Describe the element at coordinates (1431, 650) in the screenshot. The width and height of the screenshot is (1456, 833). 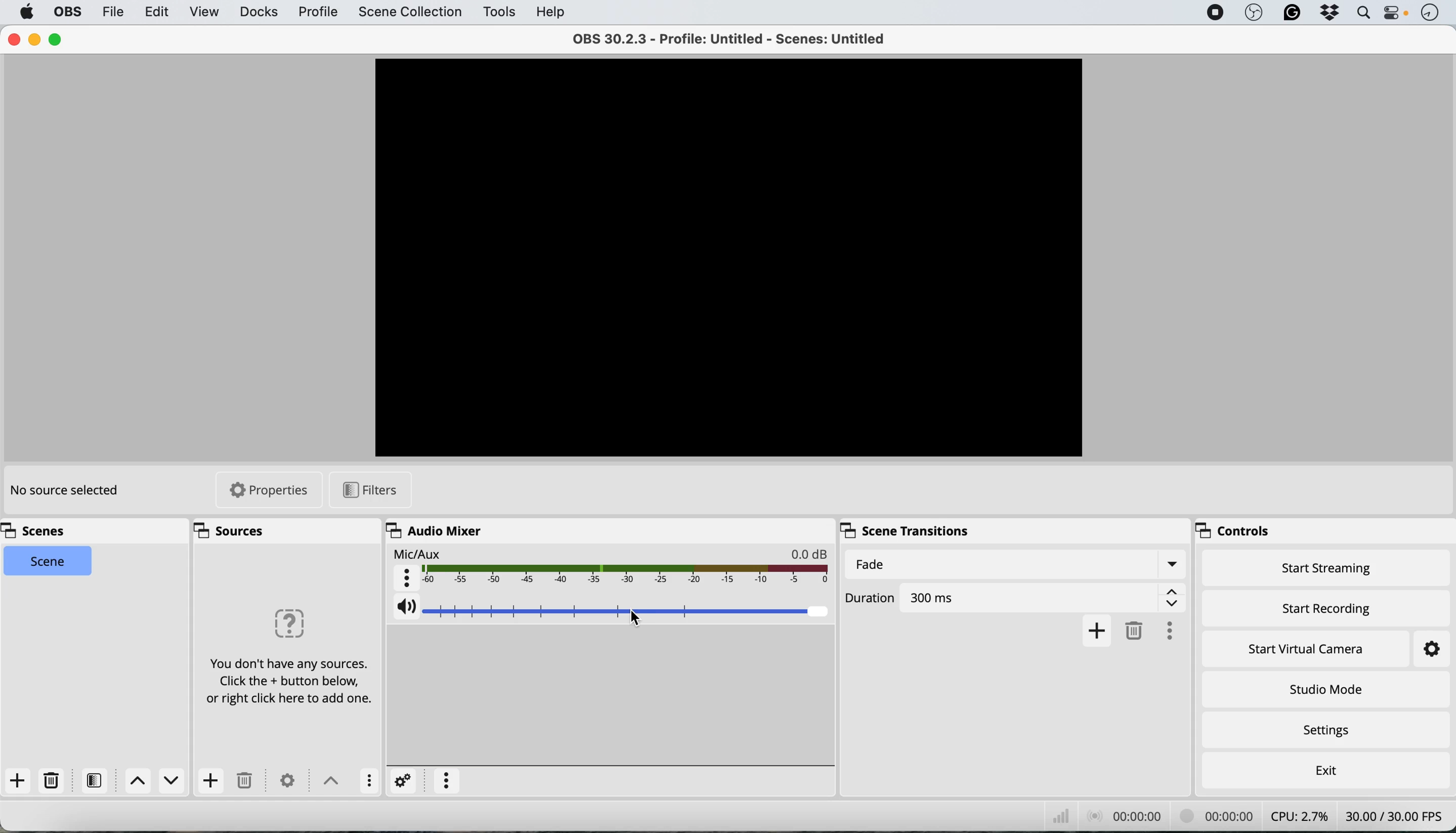
I see `settings` at that location.